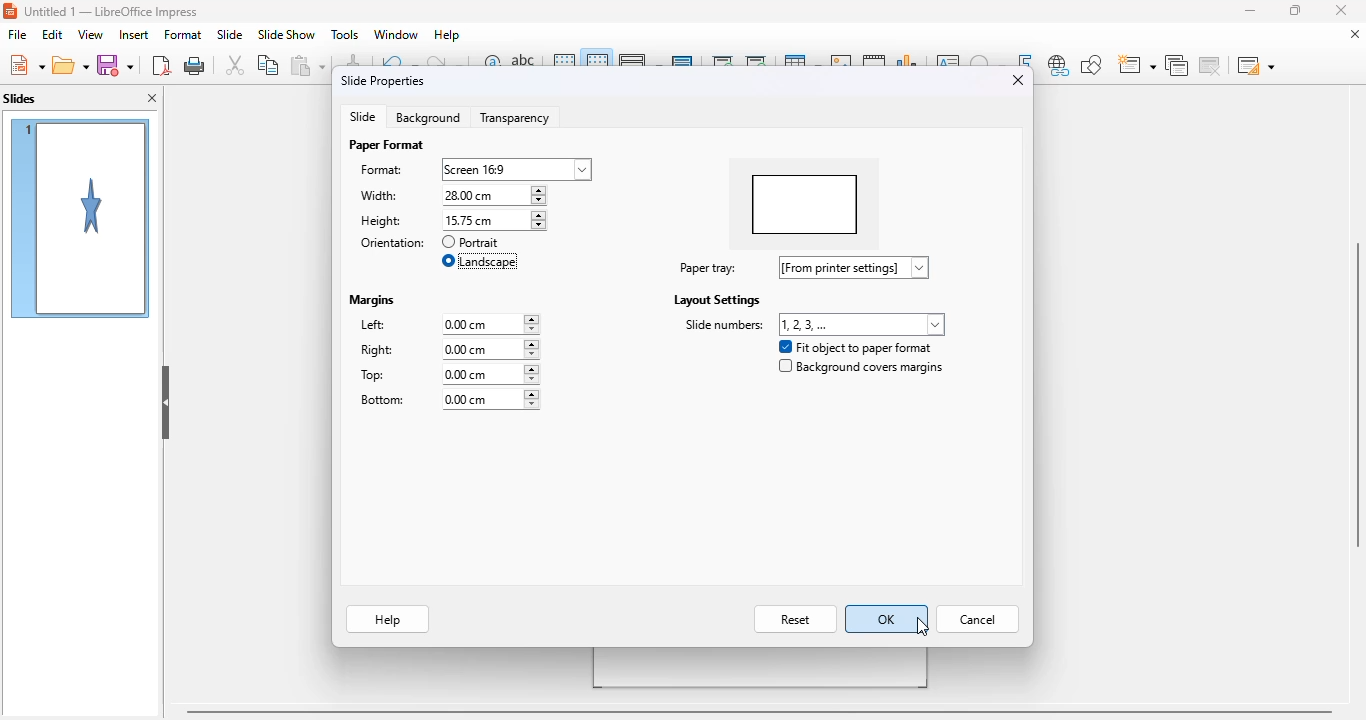 The height and width of the screenshot is (720, 1366). I want to click on width: 15.75 cm, so click(482, 195).